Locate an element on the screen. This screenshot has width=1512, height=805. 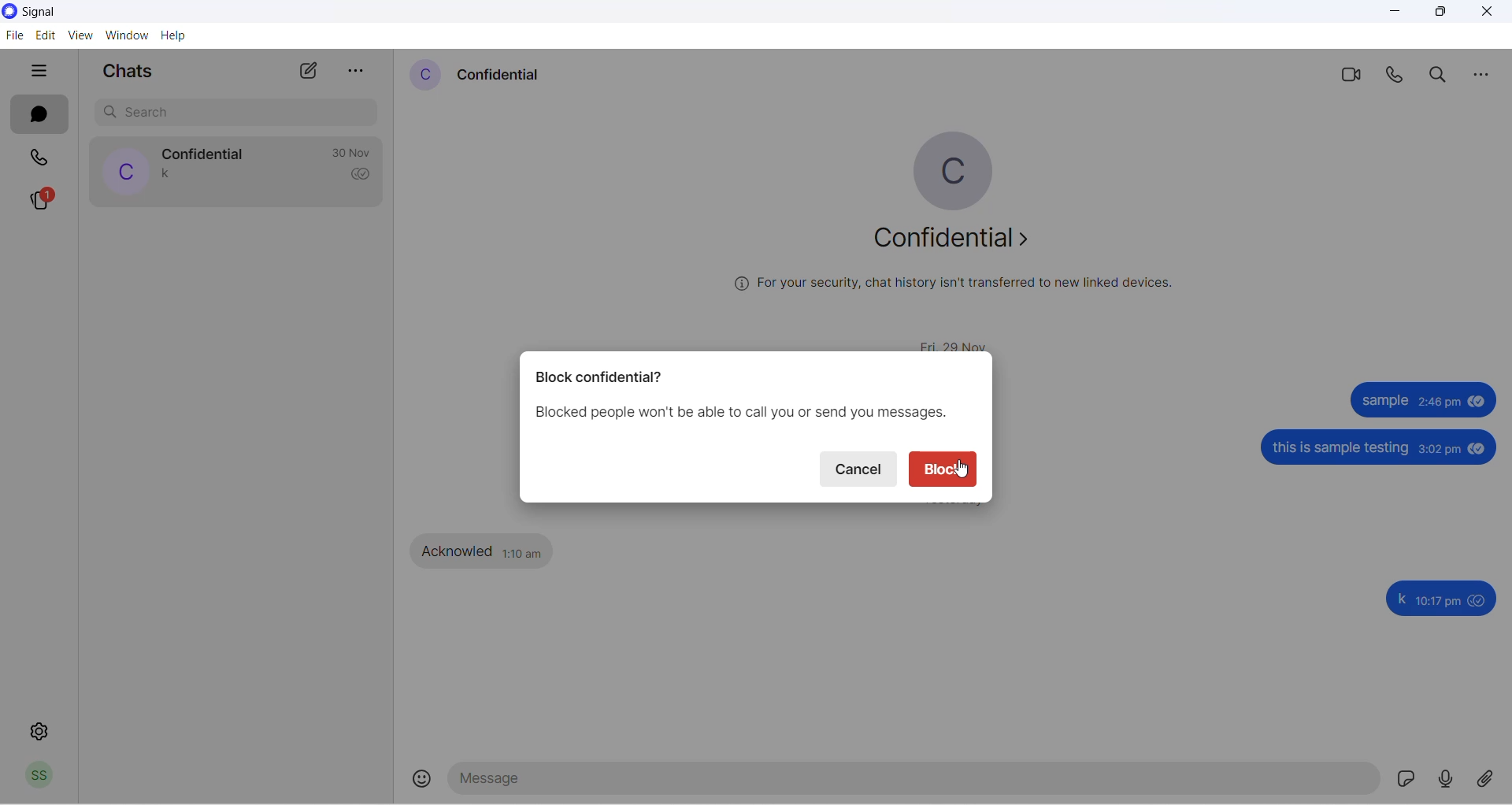
seen is located at coordinates (1480, 601).